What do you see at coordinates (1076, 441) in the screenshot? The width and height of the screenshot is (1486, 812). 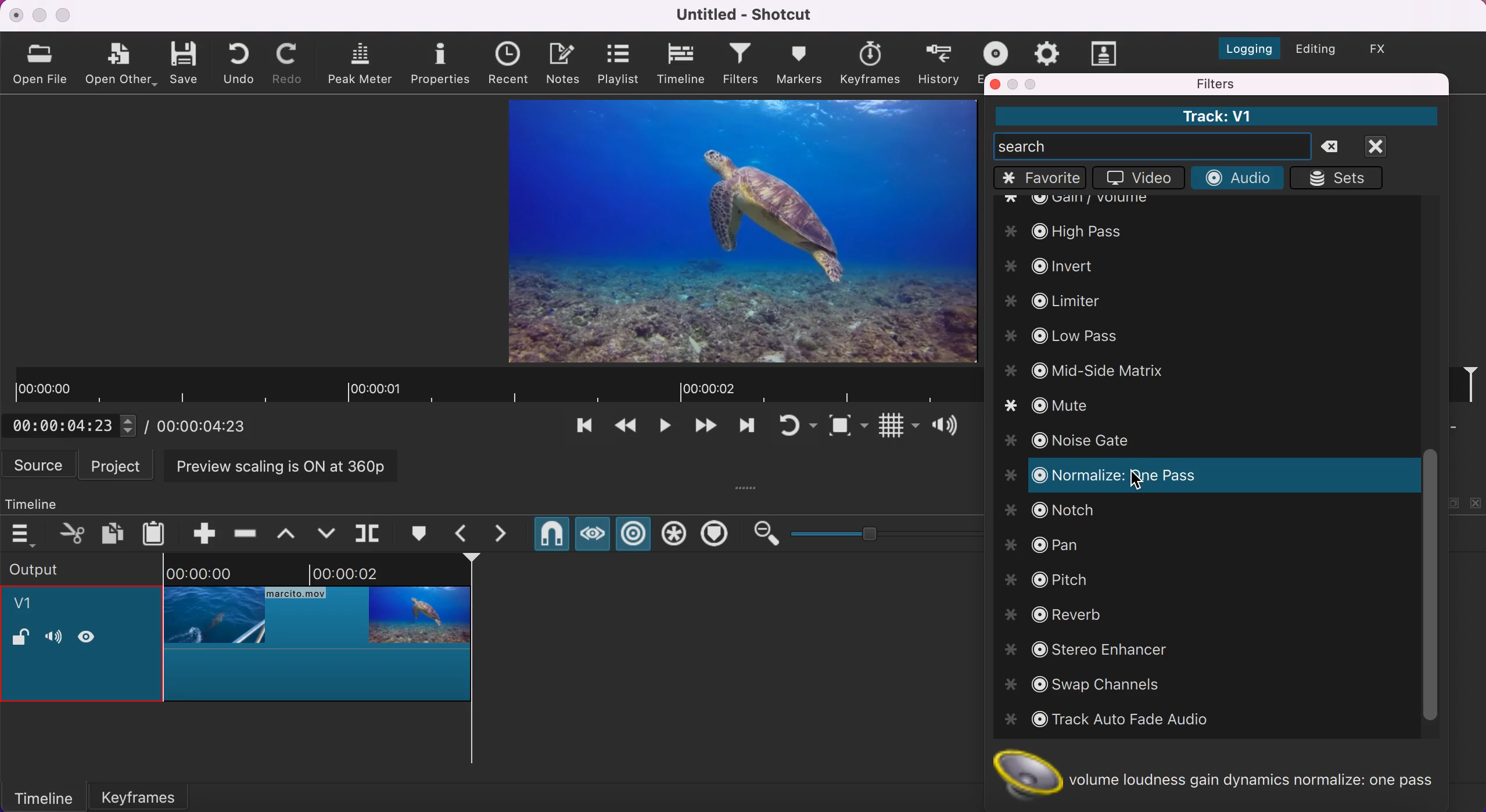 I see `noise gate` at bounding box center [1076, 441].